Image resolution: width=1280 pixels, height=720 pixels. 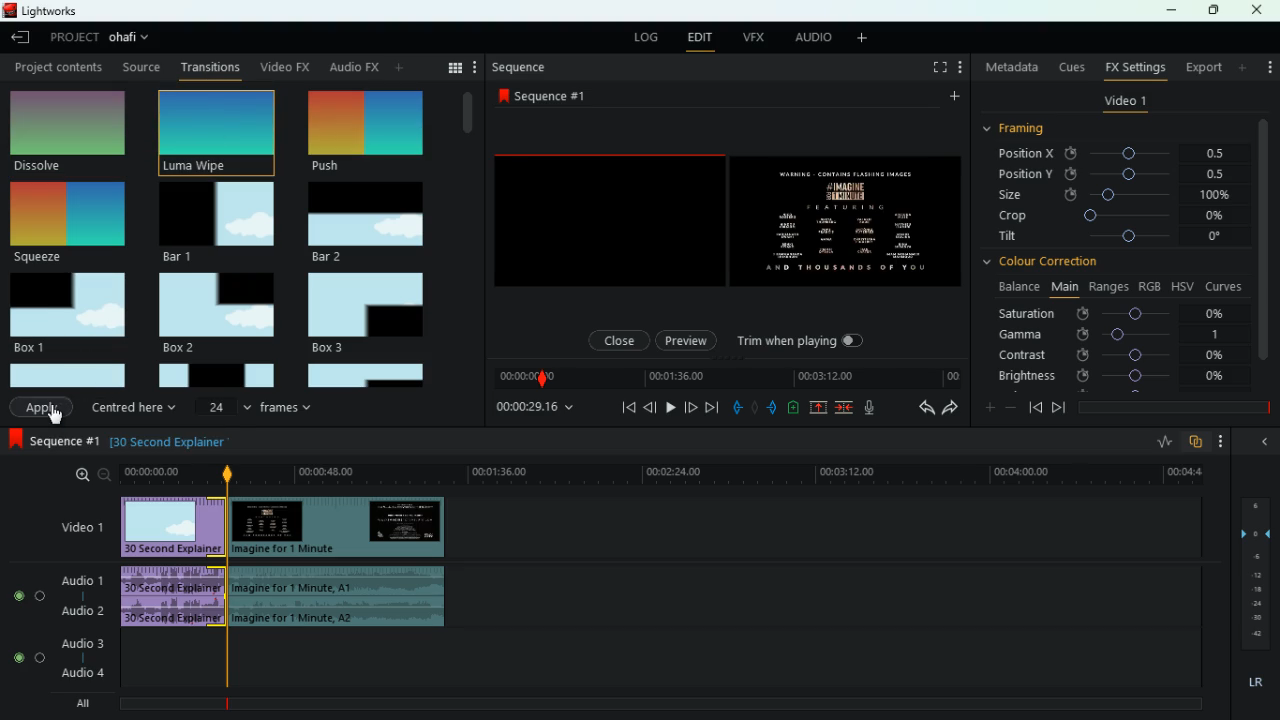 I want to click on push, so click(x=774, y=409).